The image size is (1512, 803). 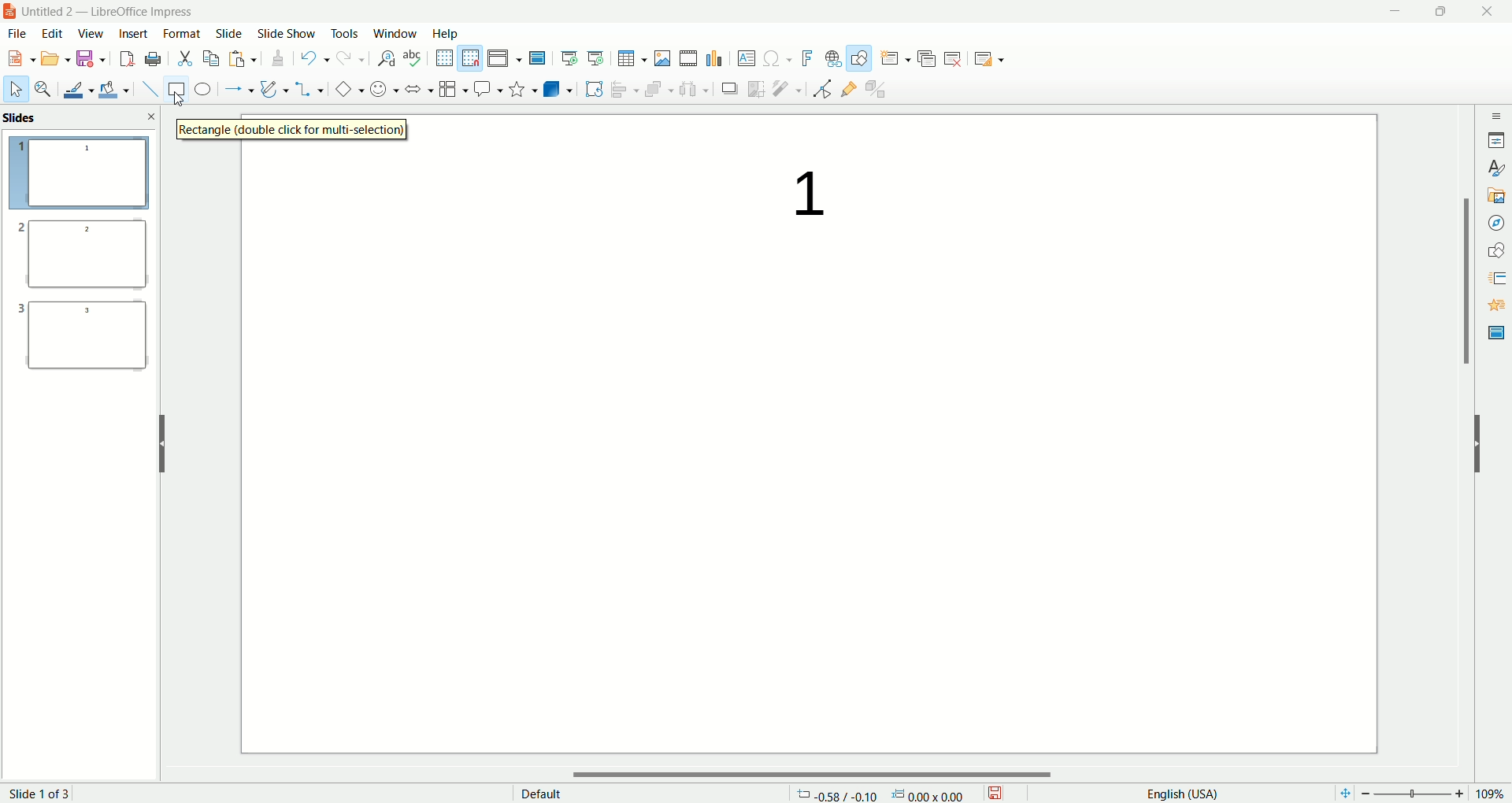 I want to click on callout shapes, so click(x=486, y=90).